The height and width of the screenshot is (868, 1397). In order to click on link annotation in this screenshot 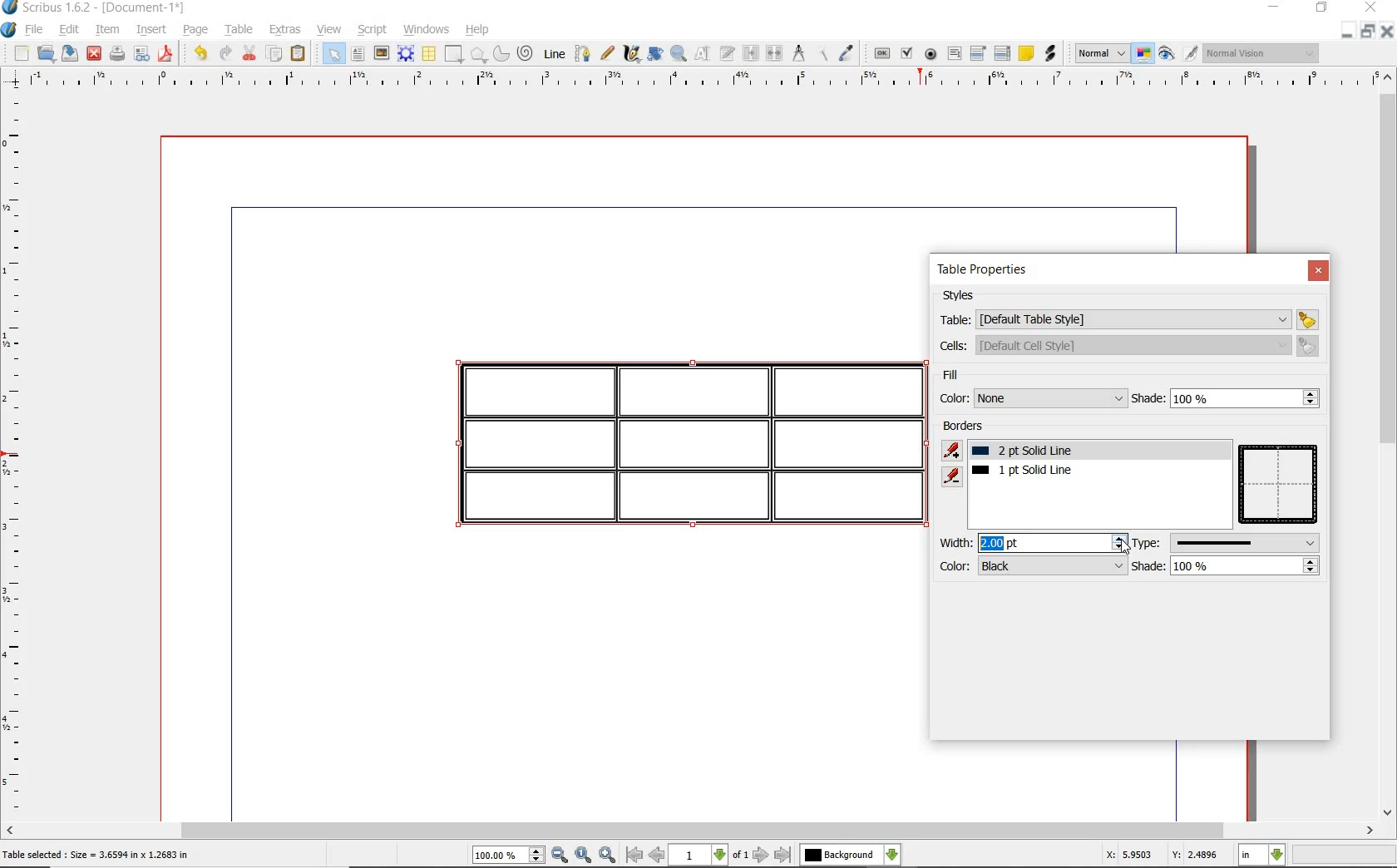, I will do `click(1051, 54)`.